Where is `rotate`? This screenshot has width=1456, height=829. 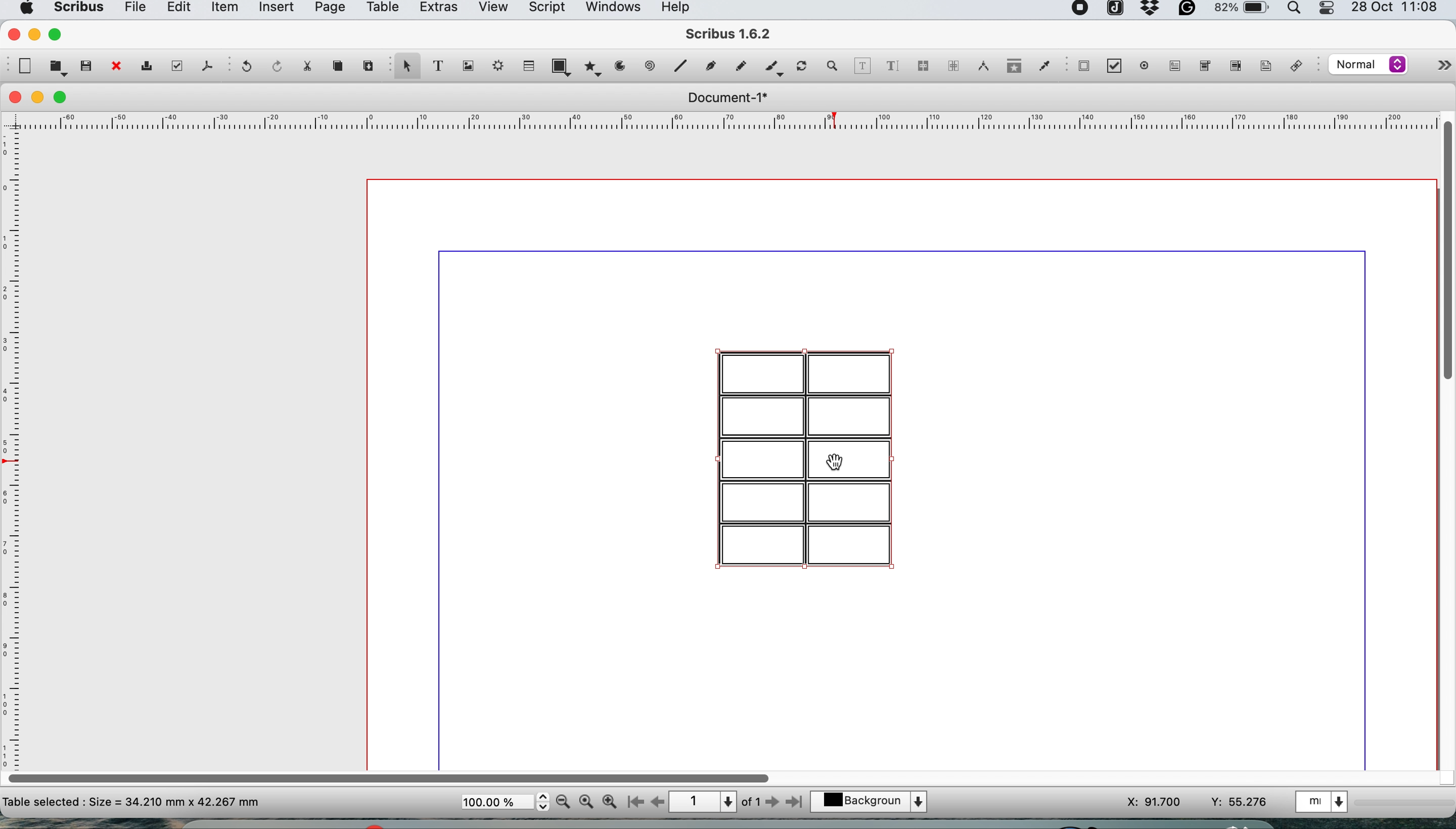
rotate is located at coordinates (803, 67).